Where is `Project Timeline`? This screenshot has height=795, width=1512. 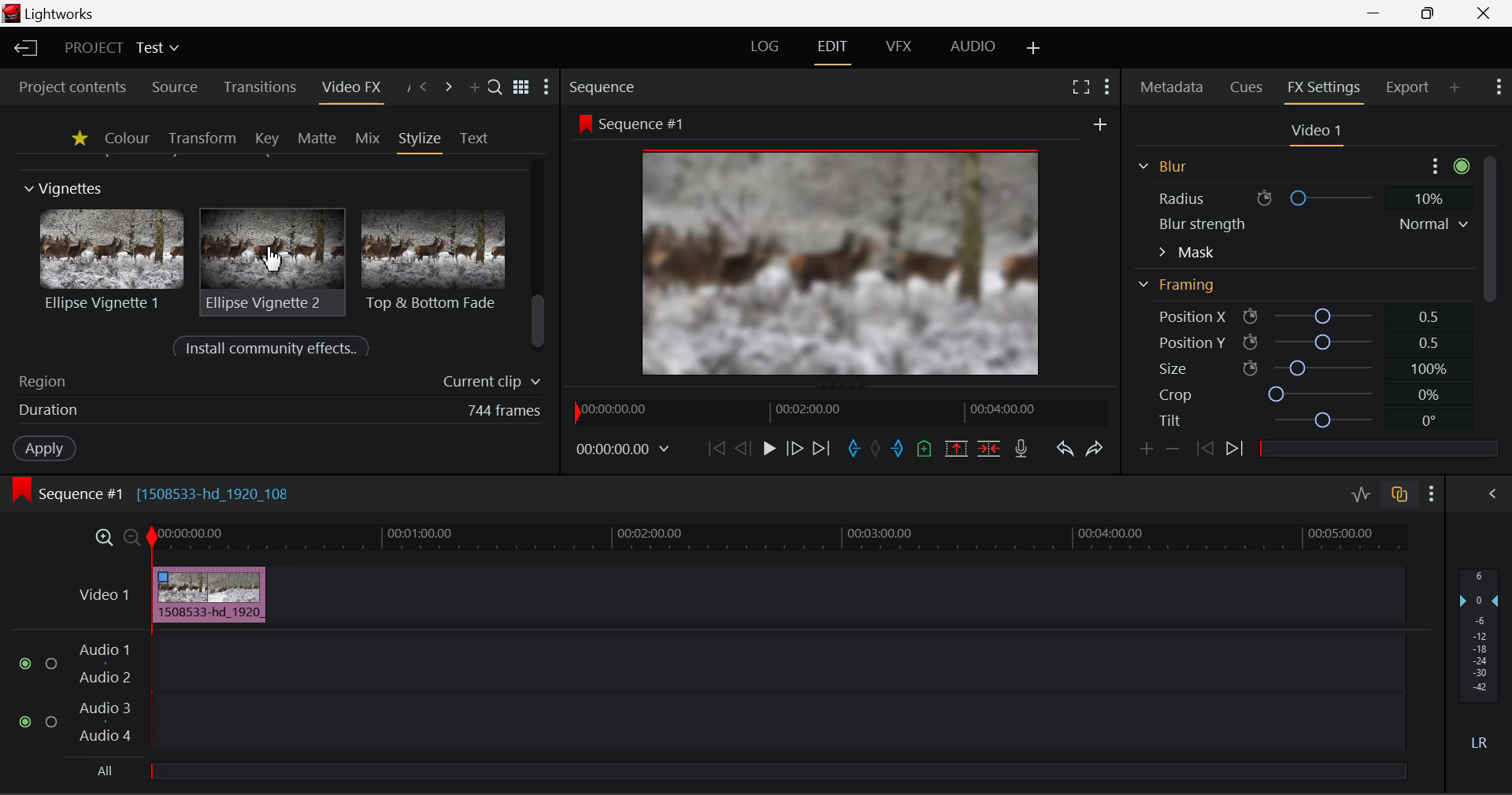
Project Timeline is located at coordinates (779, 538).